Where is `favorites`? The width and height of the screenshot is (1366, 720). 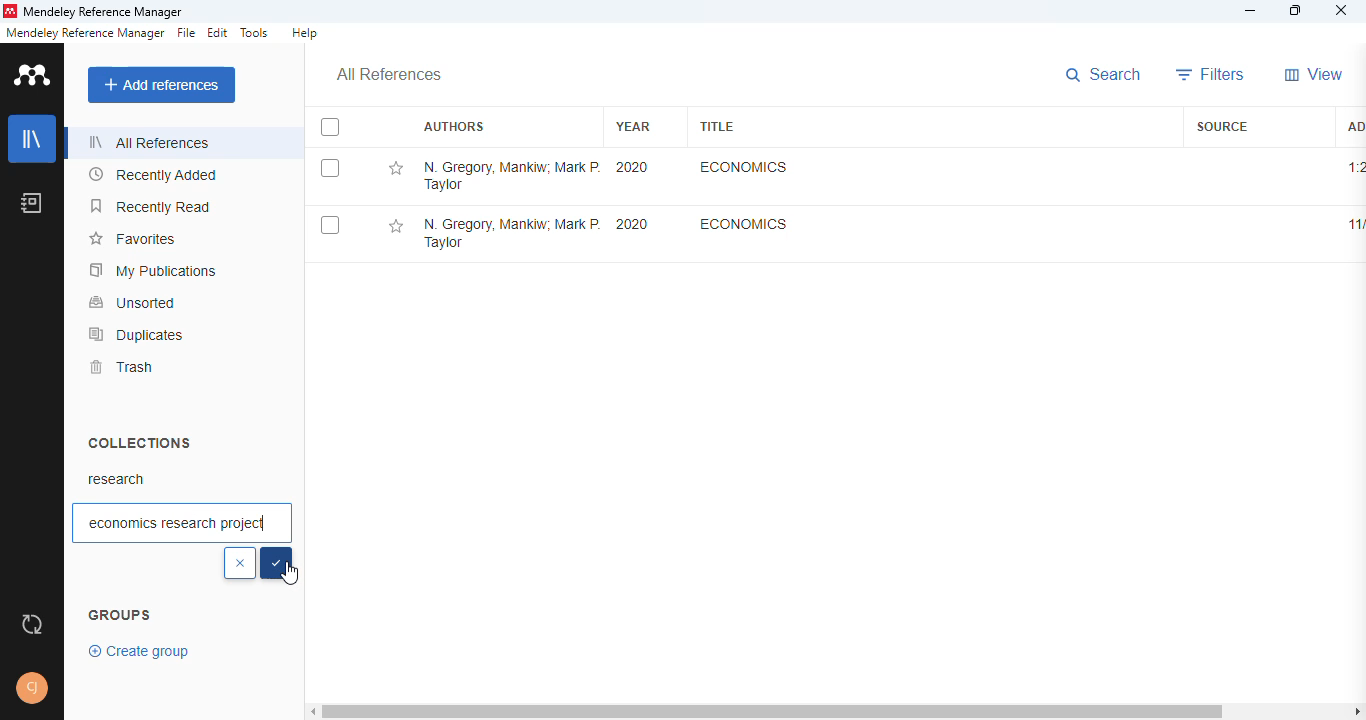
favorites is located at coordinates (131, 239).